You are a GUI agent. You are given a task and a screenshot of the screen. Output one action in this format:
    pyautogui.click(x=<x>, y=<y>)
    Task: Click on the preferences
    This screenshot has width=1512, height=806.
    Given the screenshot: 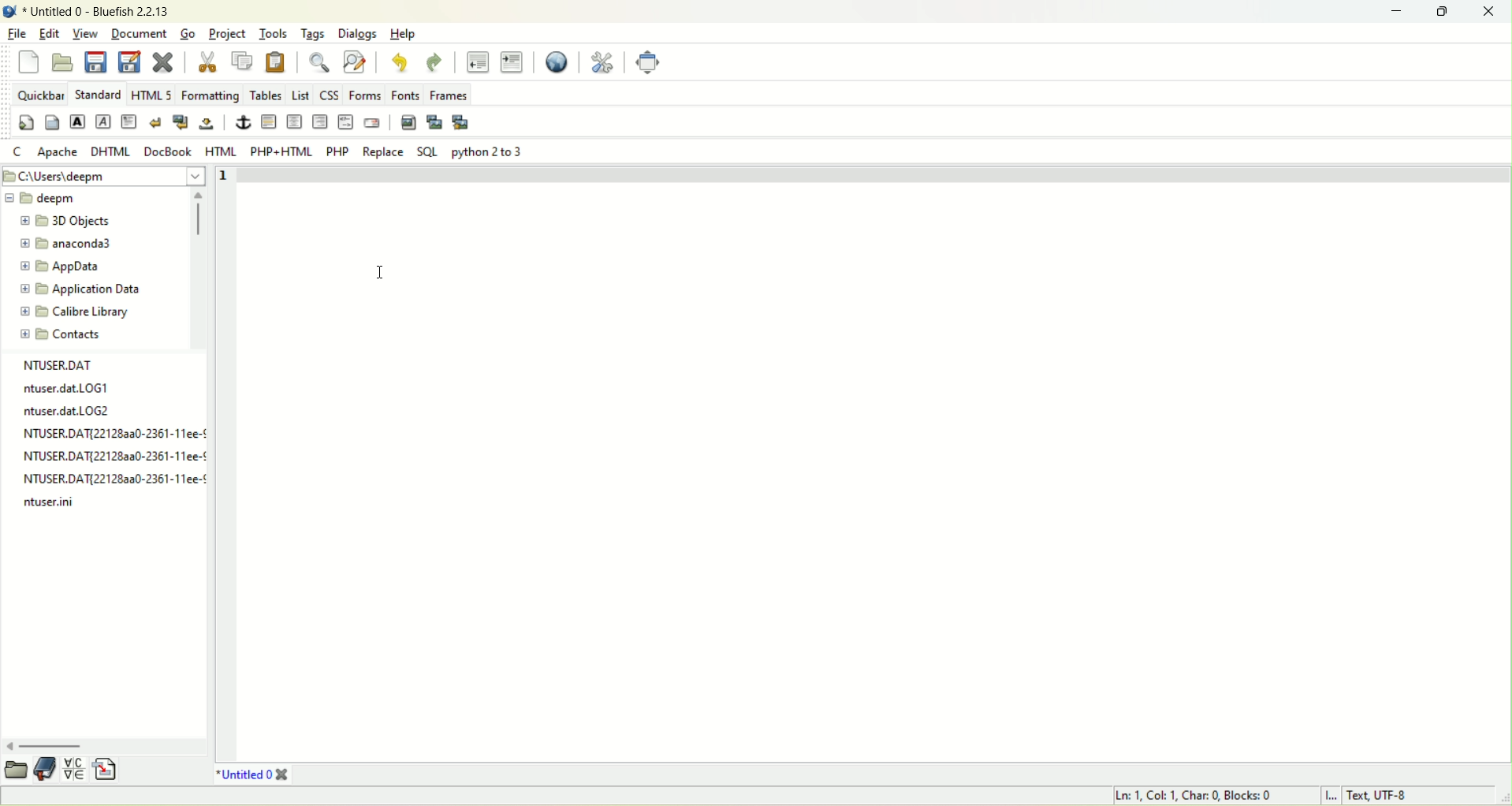 What is the action you would take?
    pyautogui.click(x=601, y=62)
    